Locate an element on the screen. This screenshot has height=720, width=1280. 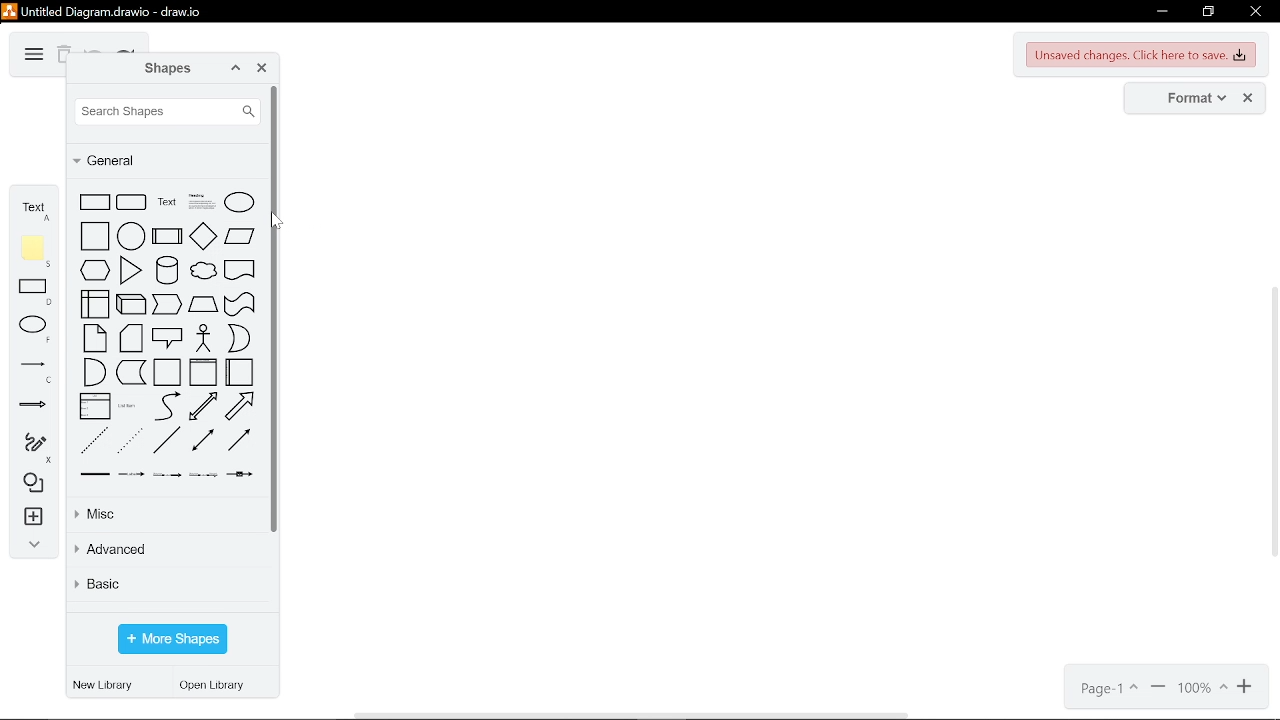
close is located at coordinates (1248, 99).